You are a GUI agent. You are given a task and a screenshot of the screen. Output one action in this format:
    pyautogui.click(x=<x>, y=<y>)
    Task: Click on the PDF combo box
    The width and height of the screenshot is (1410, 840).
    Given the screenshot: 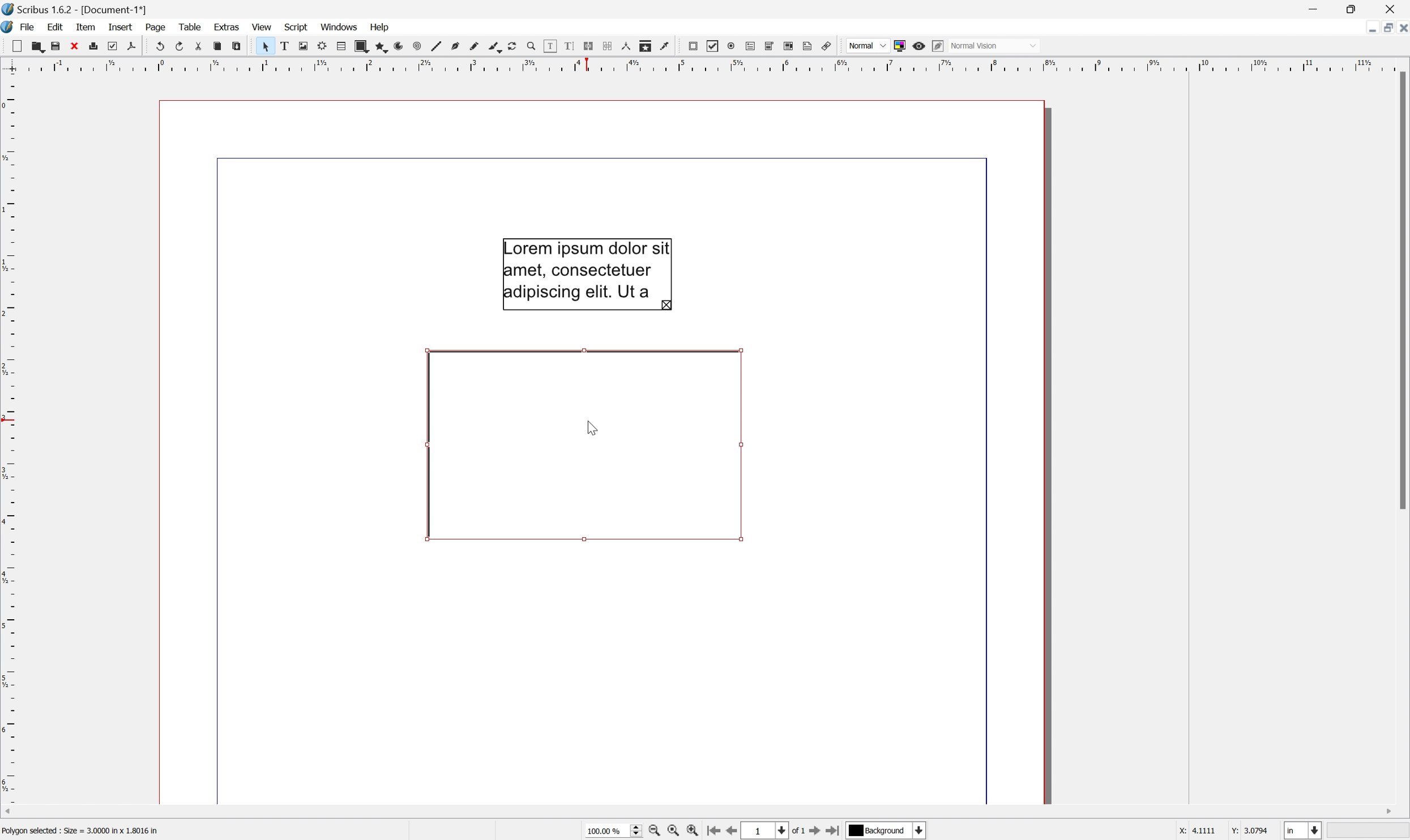 What is the action you would take?
    pyautogui.click(x=768, y=44)
    